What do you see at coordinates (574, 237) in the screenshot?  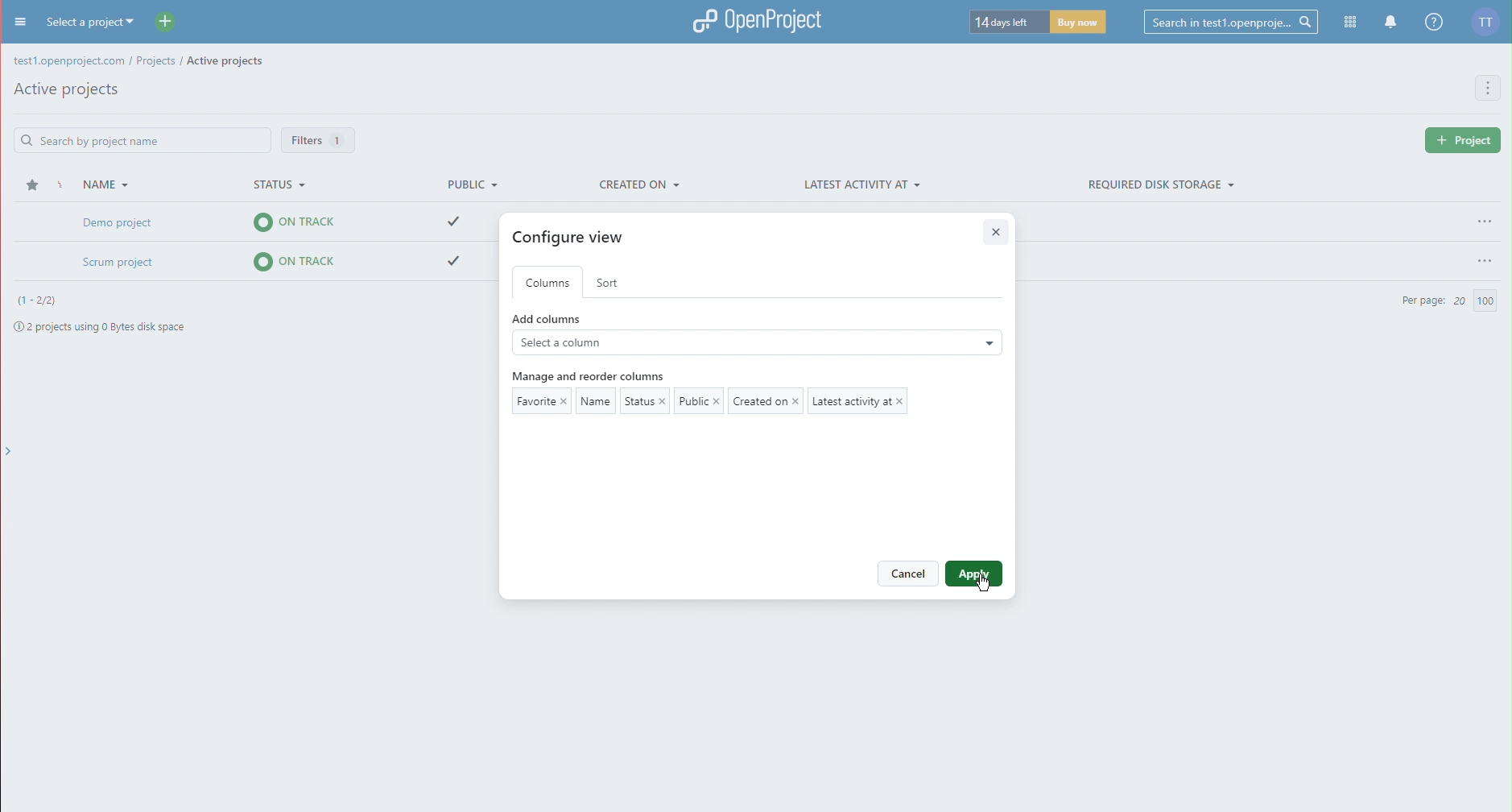 I see `Configure view` at bounding box center [574, 237].